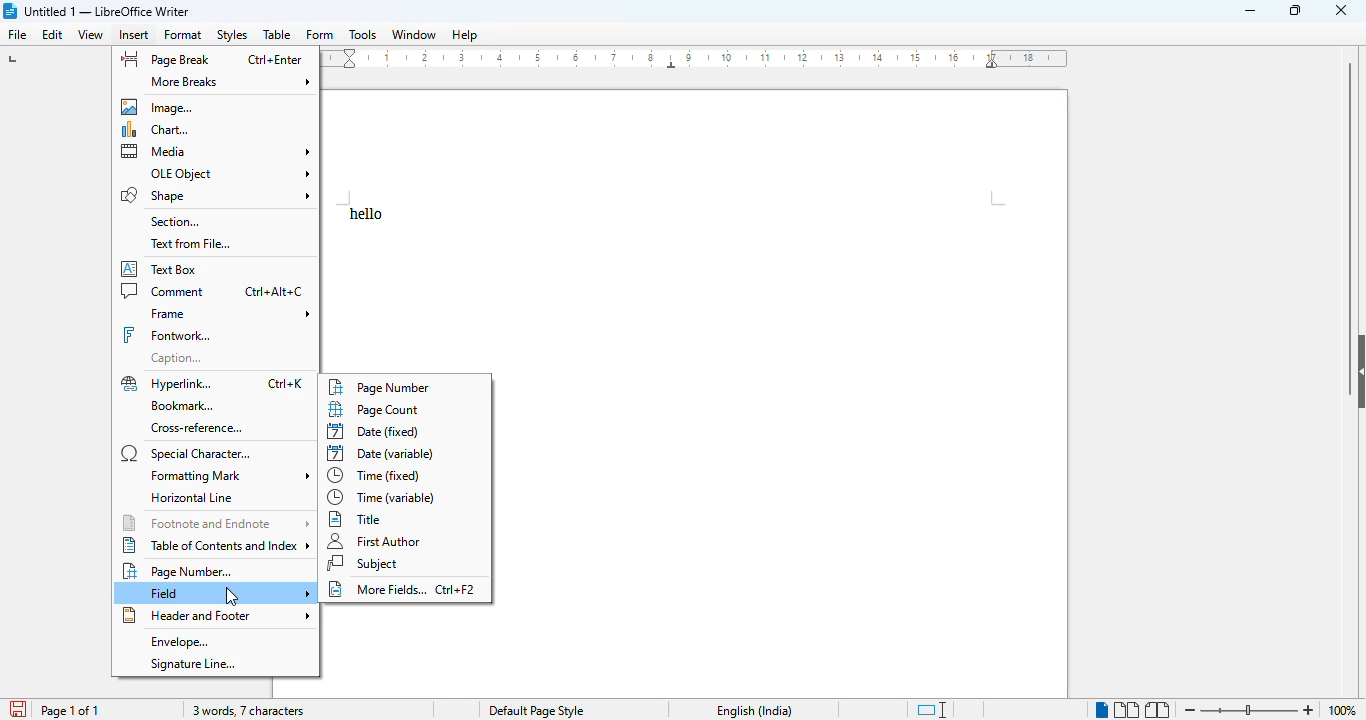 This screenshot has height=720, width=1366. What do you see at coordinates (382, 454) in the screenshot?
I see `date (variable)` at bounding box center [382, 454].